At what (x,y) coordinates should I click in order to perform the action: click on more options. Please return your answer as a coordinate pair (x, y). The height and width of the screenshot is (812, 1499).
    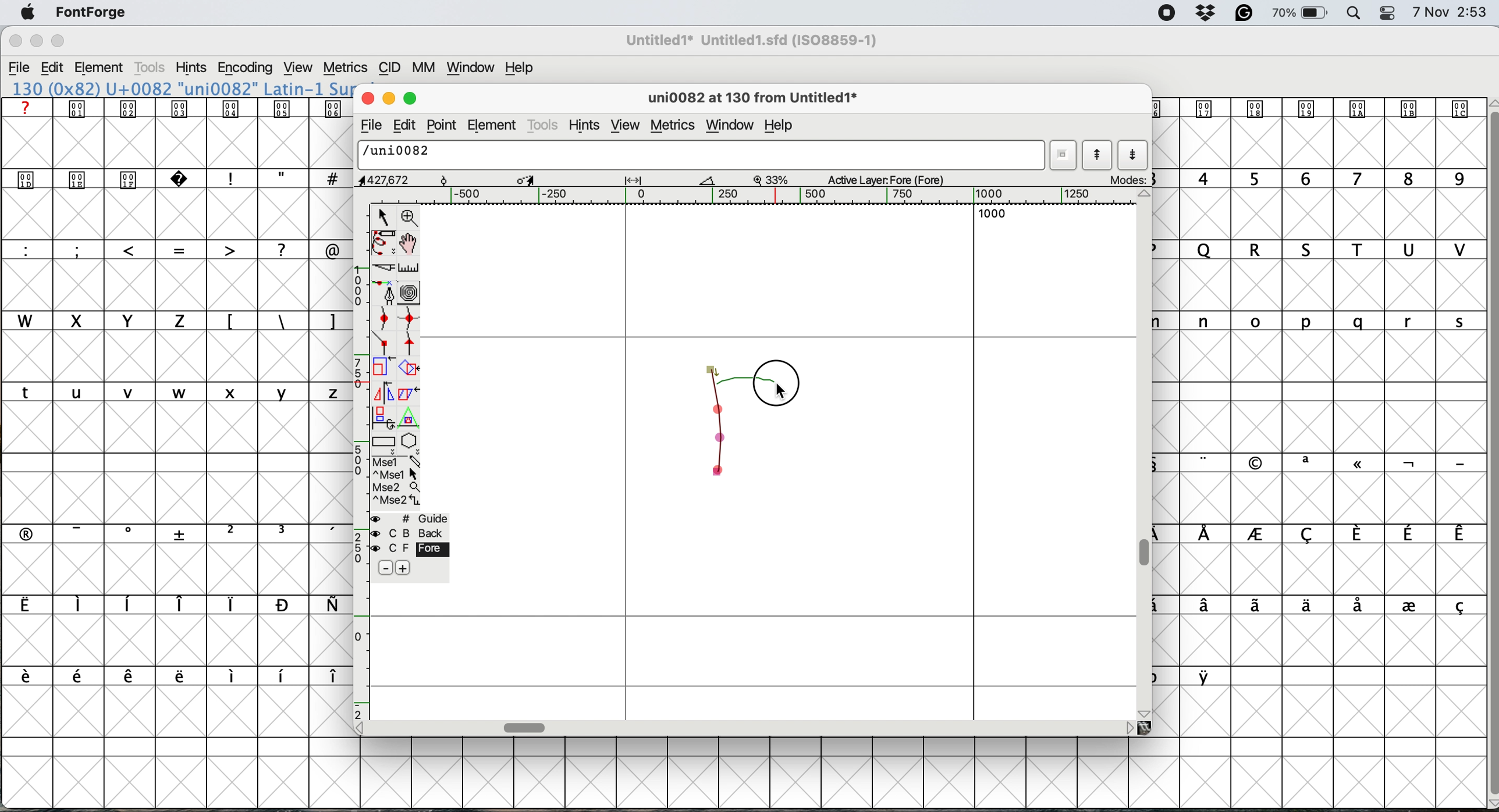
    Looking at the image, I should click on (395, 482).